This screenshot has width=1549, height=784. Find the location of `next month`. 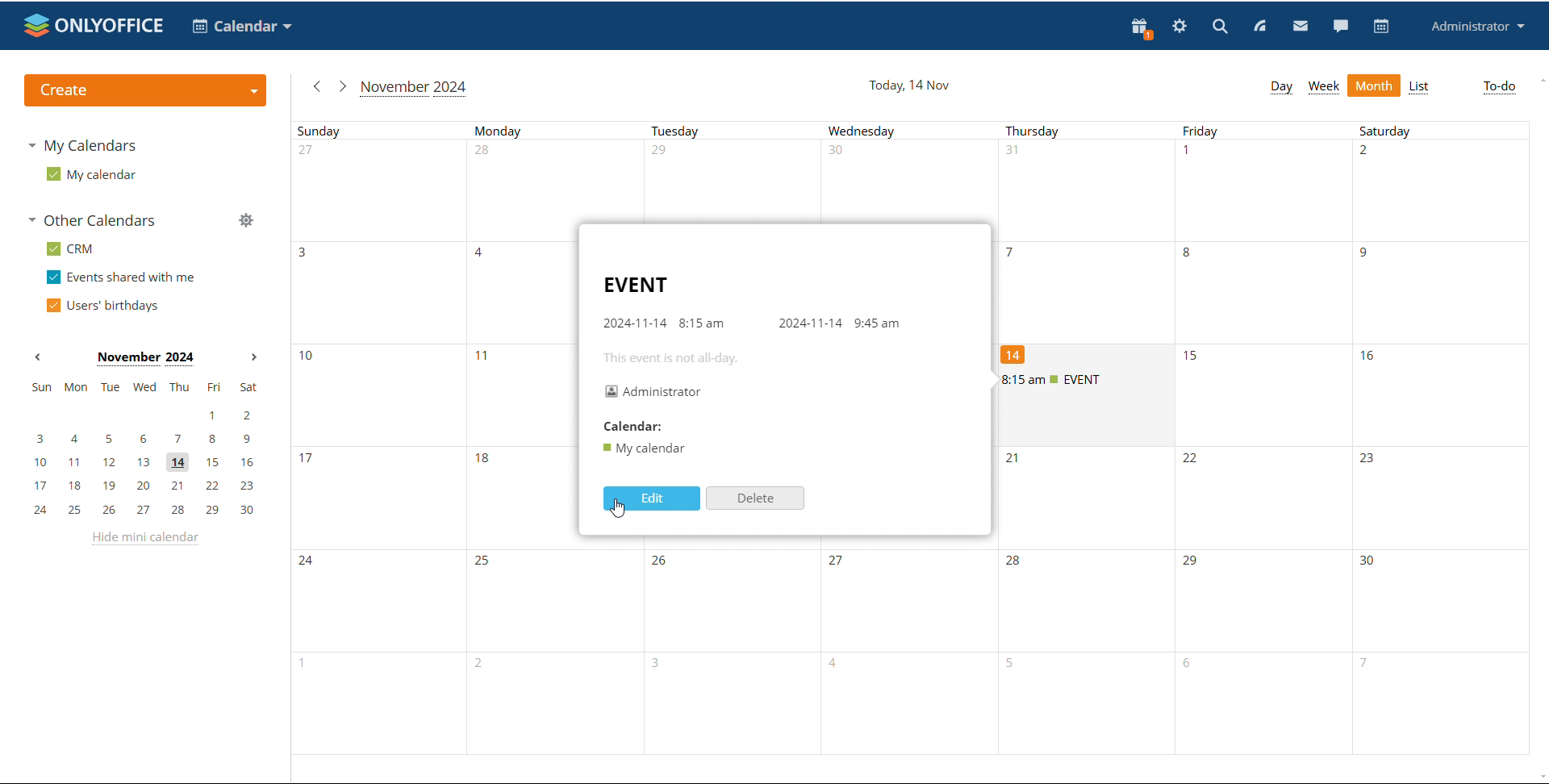

next month is located at coordinates (254, 358).